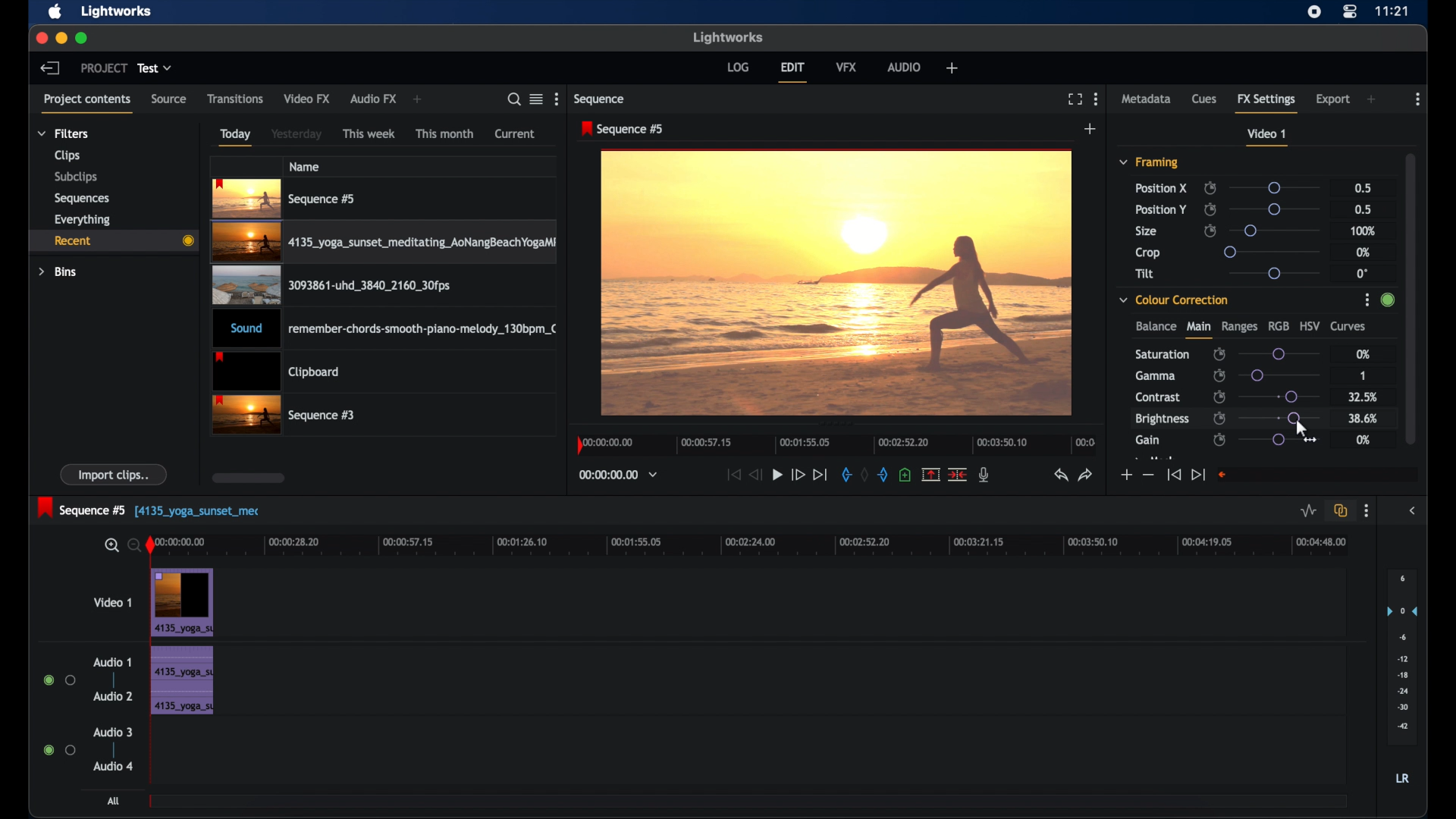  Describe the element at coordinates (760, 544) in the screenshot. I see `timeline scale` at that location.